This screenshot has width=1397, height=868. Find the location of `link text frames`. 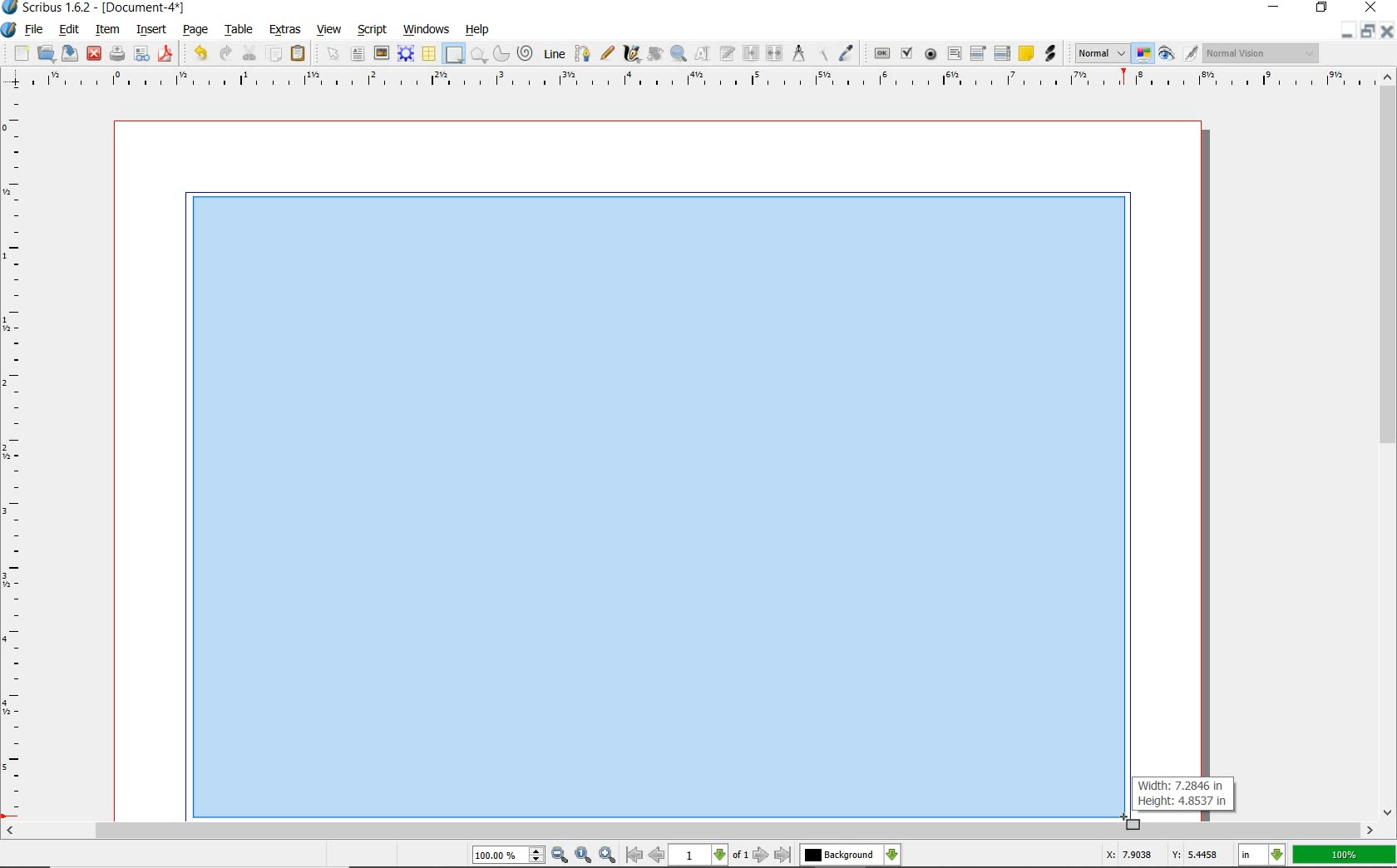

link text frames is located at coordinates (748, 52).